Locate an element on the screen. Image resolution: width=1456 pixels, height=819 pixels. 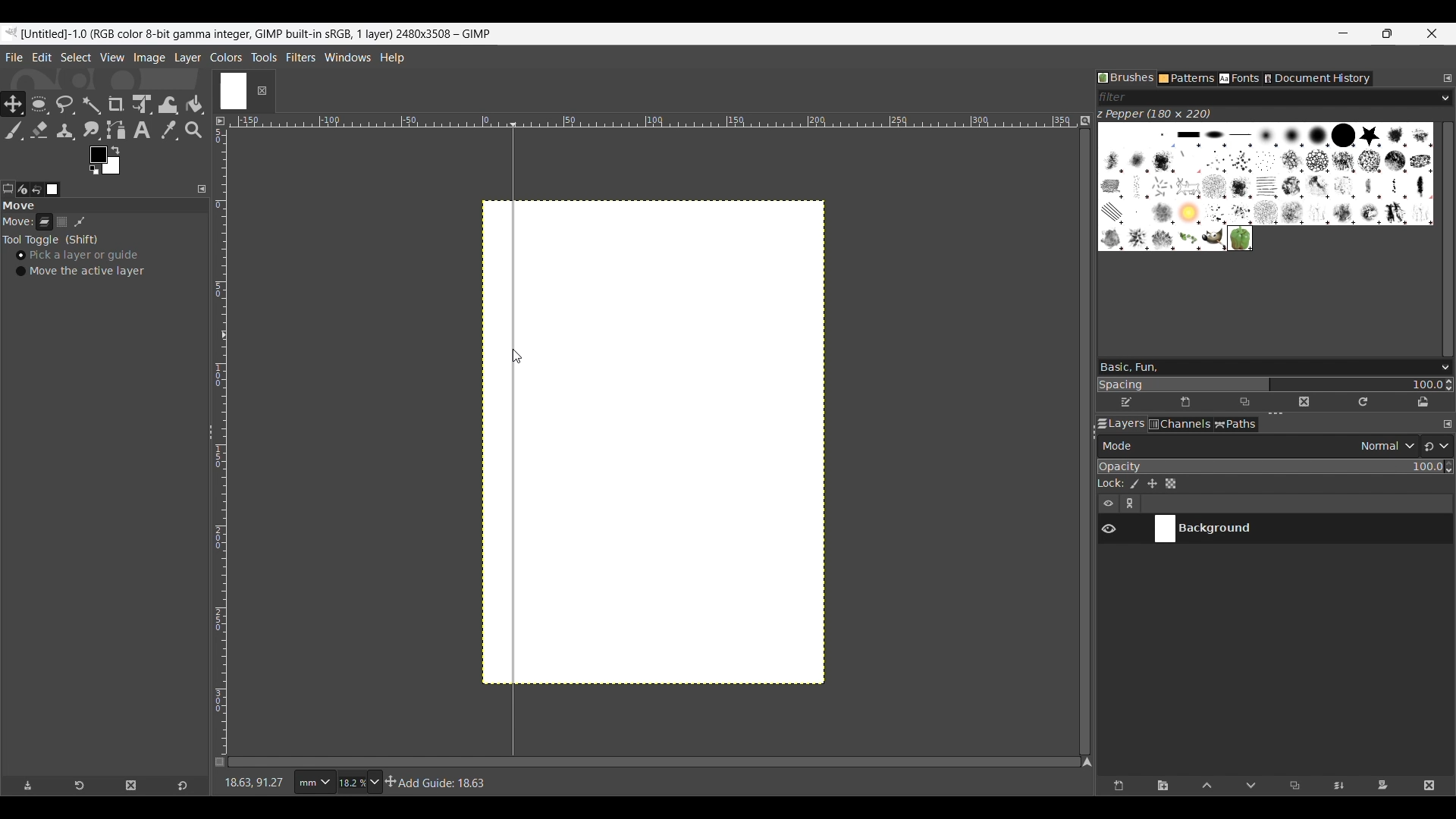
Document history tab is located at coordinates (1317, 79).